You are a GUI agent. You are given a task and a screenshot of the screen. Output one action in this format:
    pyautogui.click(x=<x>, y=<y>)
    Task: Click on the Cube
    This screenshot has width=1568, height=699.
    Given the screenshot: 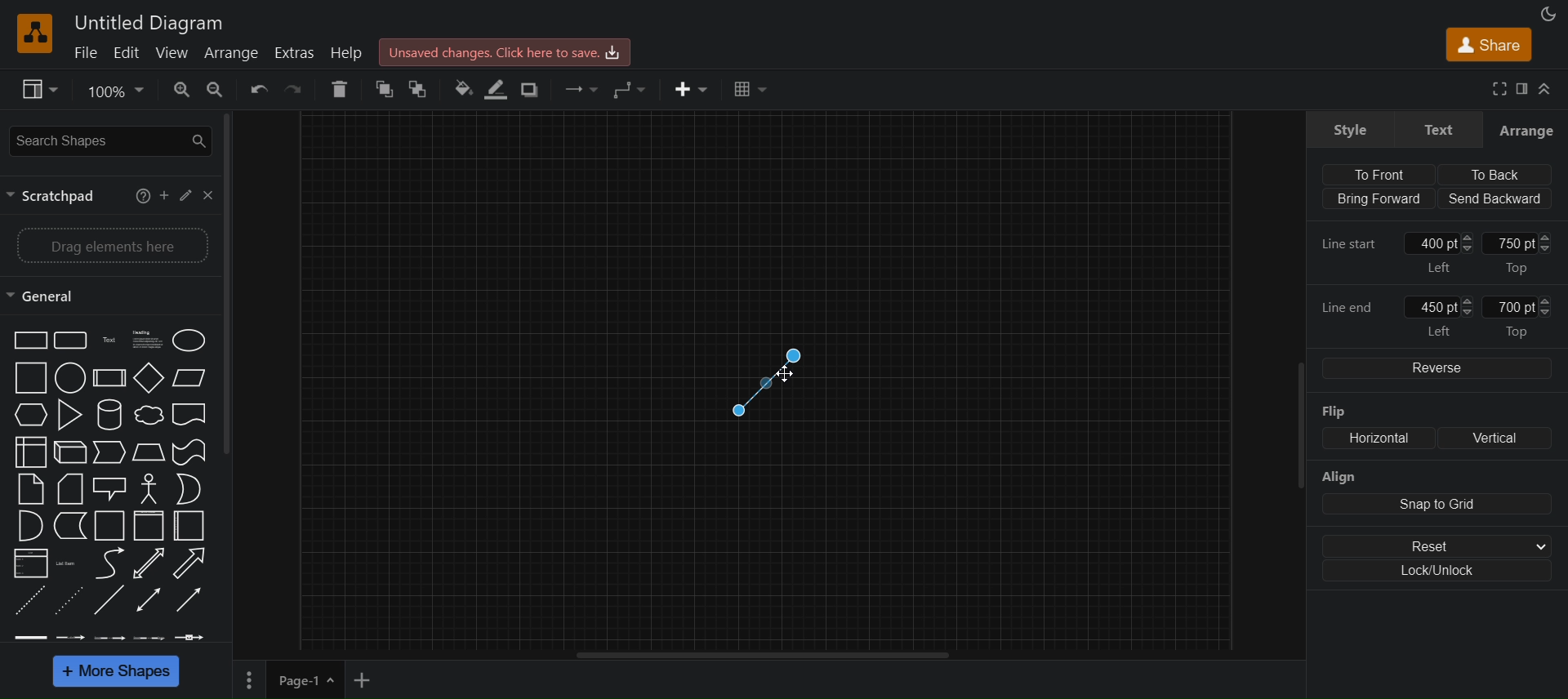 What is the action you would take?
    pyautogui.click(x=69, y=452)
    